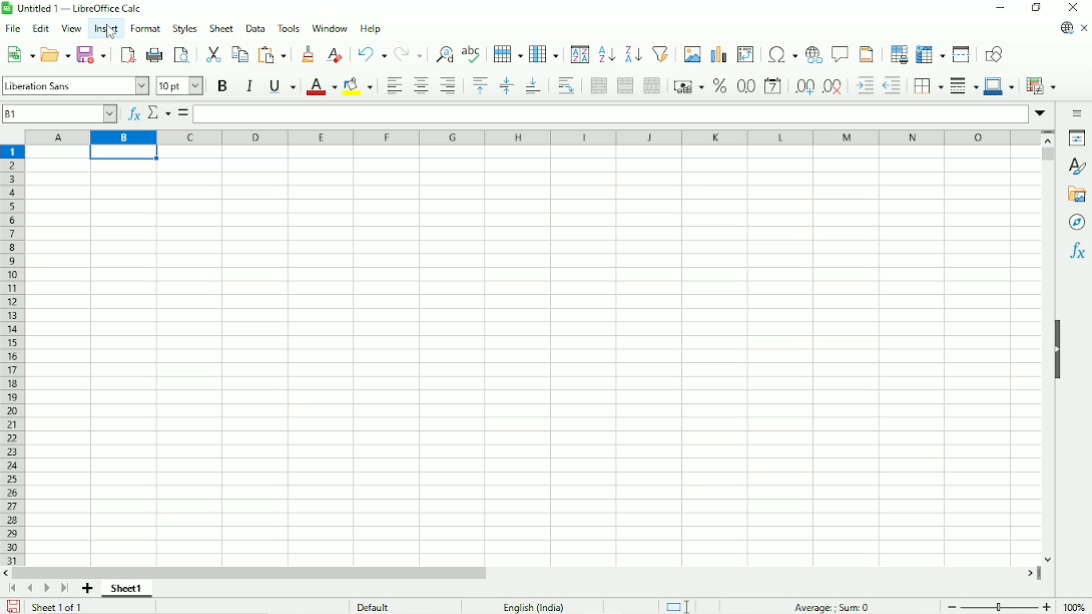 The width and height of the screenshot is (1092, 614). What do you see at coordinates (129, 54) in the screenshot?
I see `Export directly as PDF` at bounding box center [129, 54].